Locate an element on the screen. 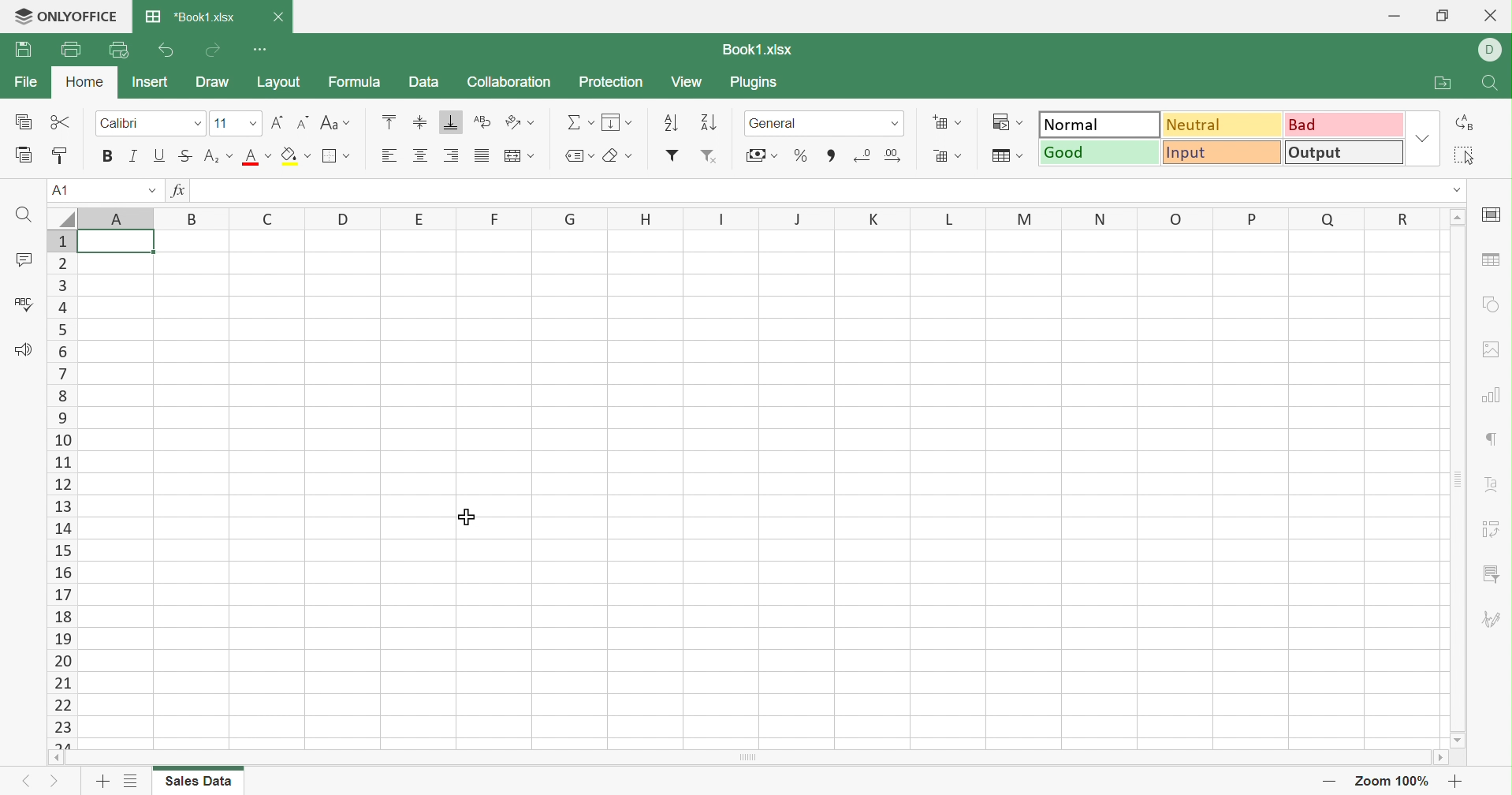 Image resolution: width=1512 pixels, height=795 pixels. close is located at coordinates (1494, 14).